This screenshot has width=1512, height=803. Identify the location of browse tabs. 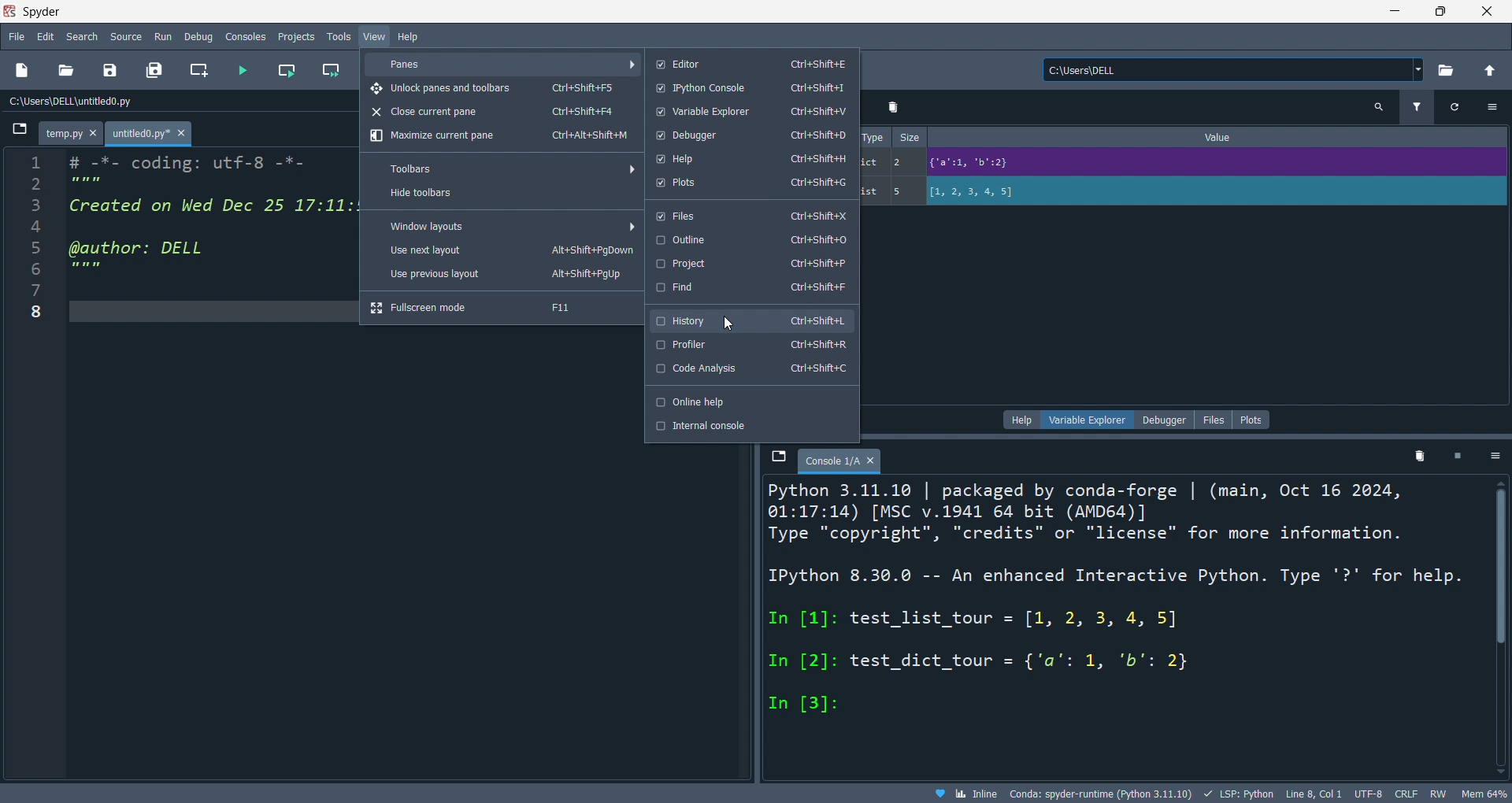
(777, 457).